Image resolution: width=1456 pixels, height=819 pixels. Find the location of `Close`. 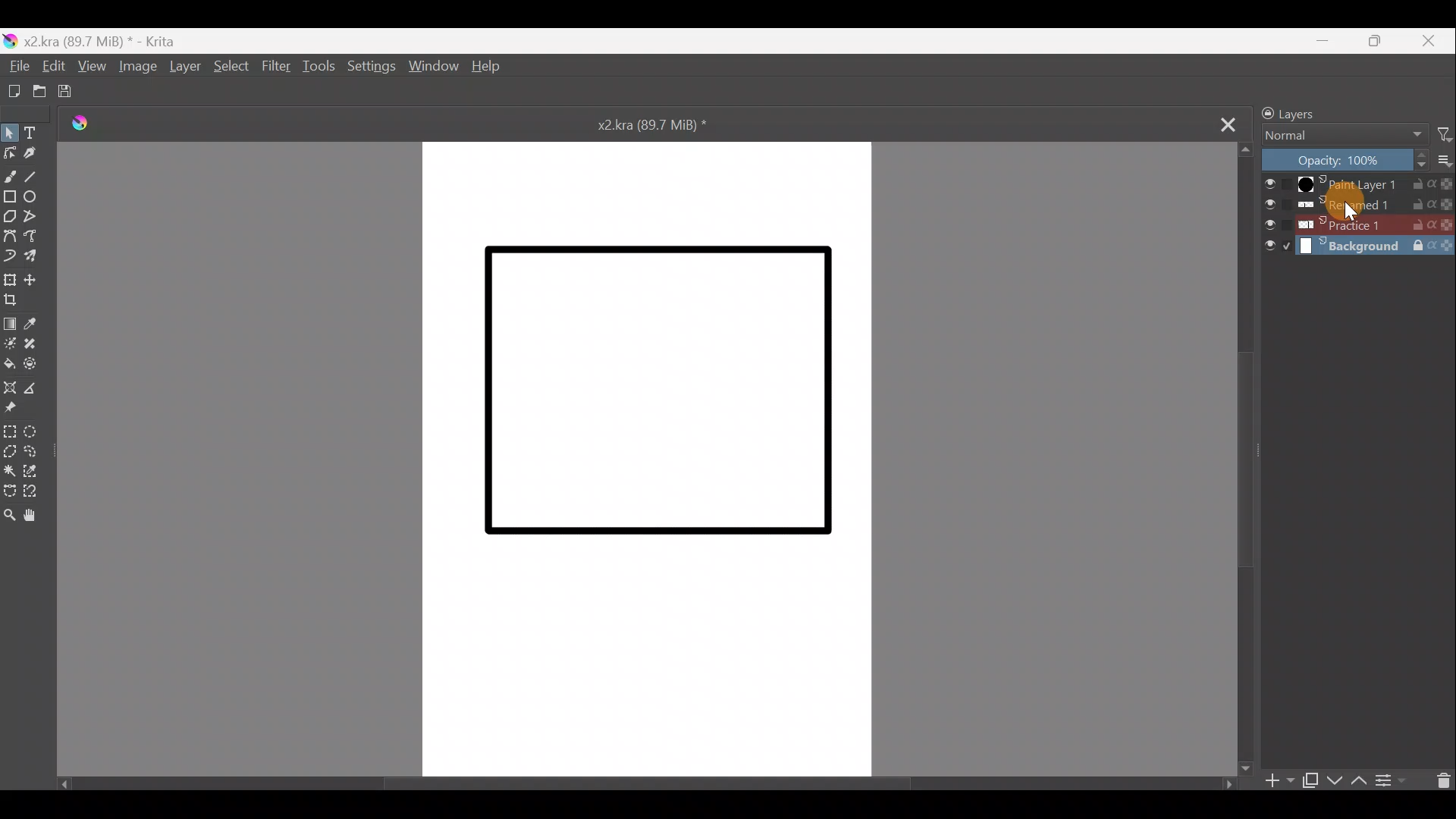

Close is located at coordinates (1427, 44).